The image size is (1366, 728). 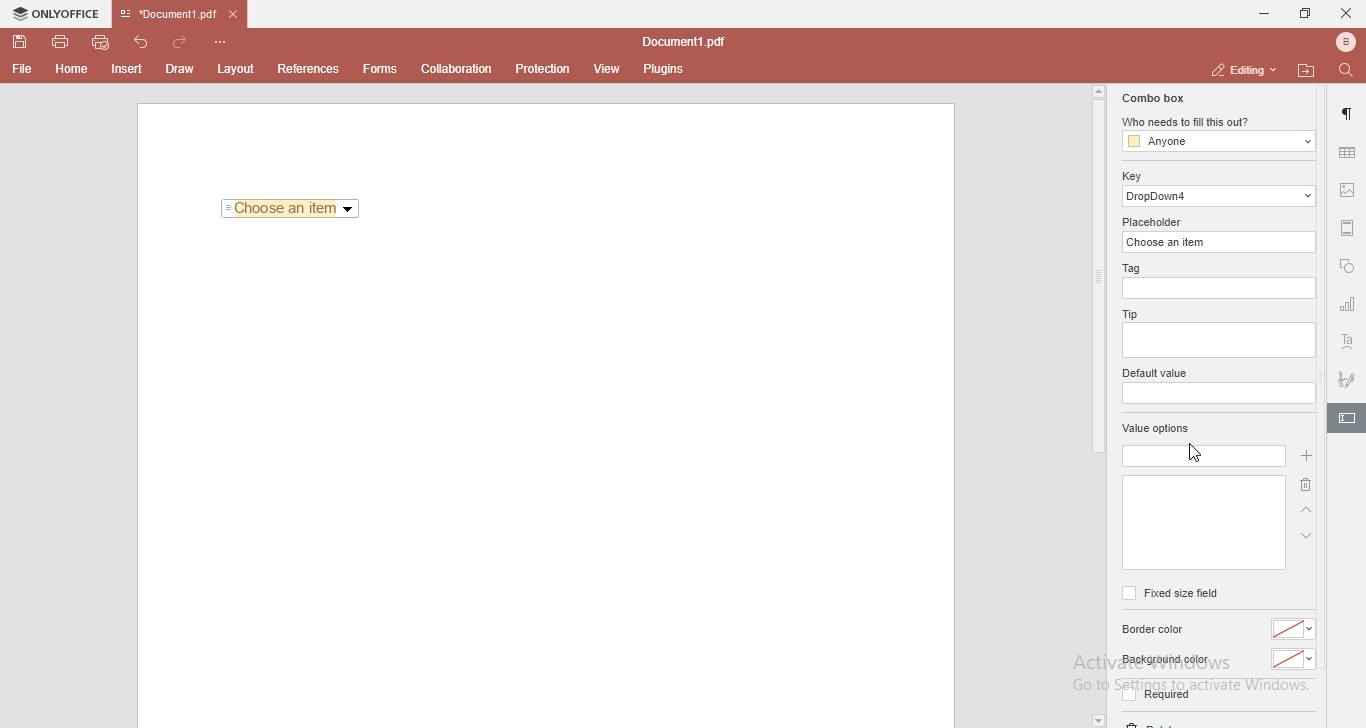 I want to click on collaboration, so click(x=461, y=67).